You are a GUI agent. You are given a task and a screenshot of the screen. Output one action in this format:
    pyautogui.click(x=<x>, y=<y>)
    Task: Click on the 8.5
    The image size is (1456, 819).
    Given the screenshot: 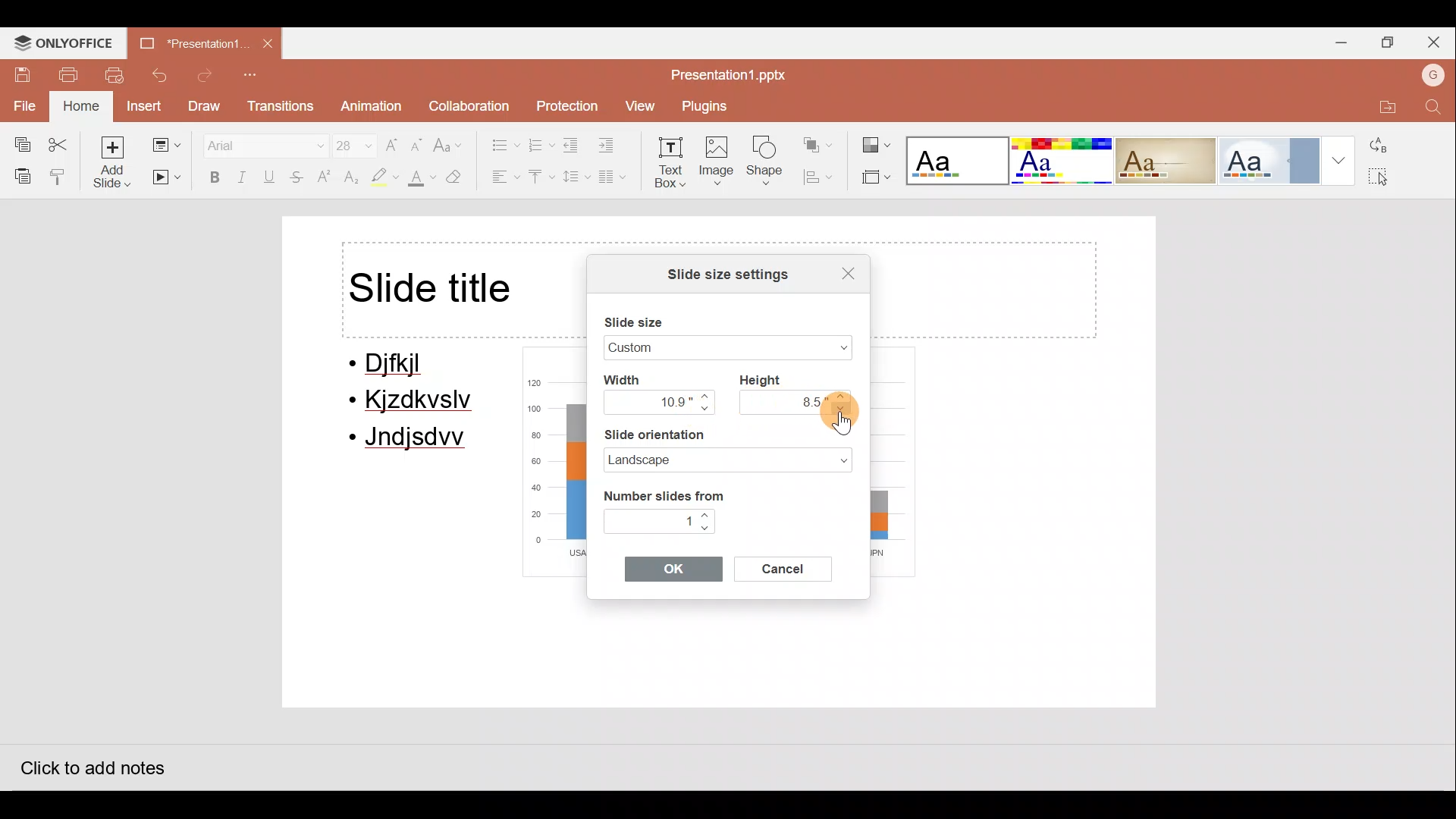 What is the action you would take?
    pyautogui.click(x=786, y=401)
    